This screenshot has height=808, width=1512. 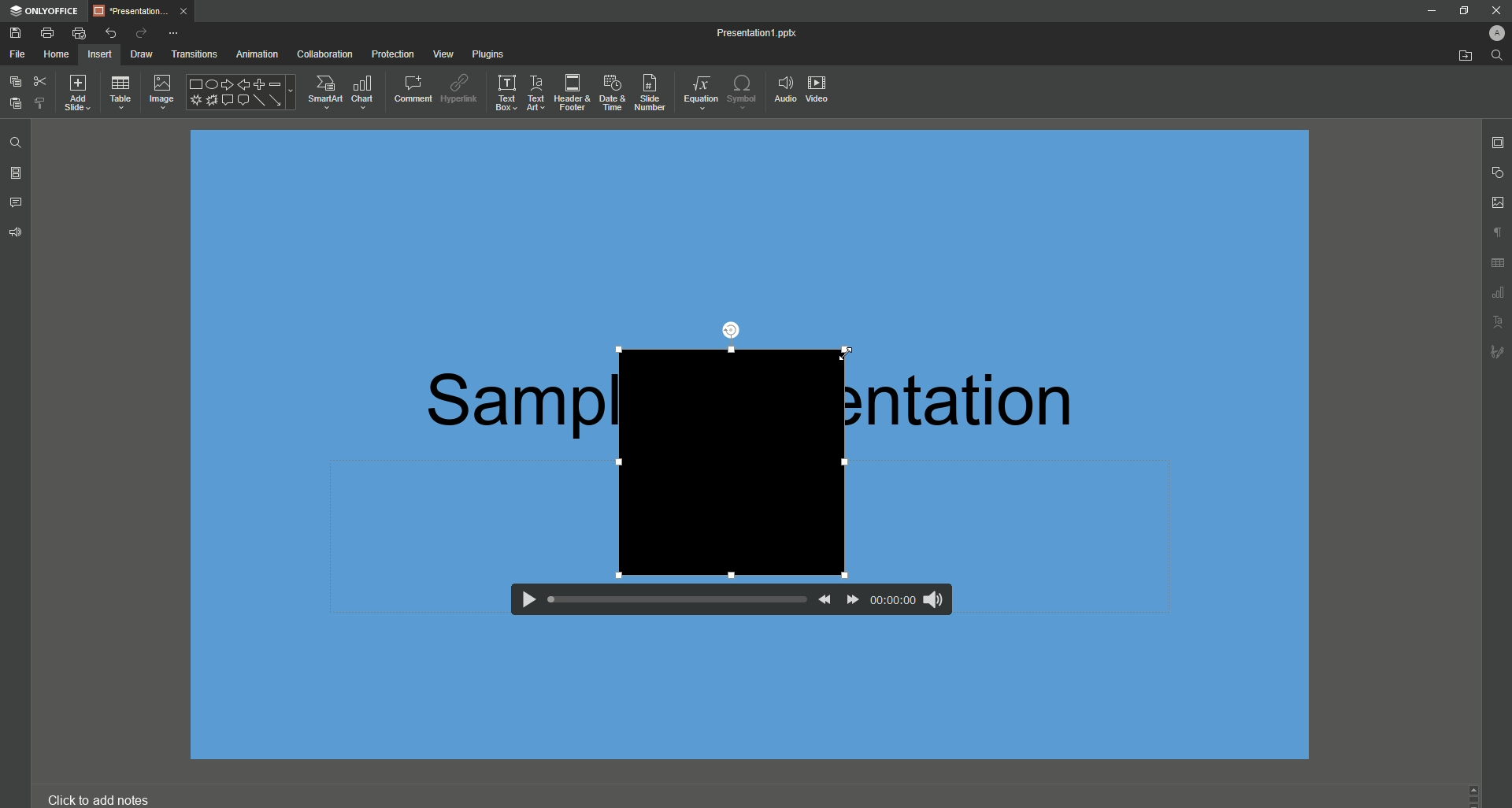 What do you see at coordinates (702, 95) in the screenshot?
I see `Equation` at bounding box center [702, 95].